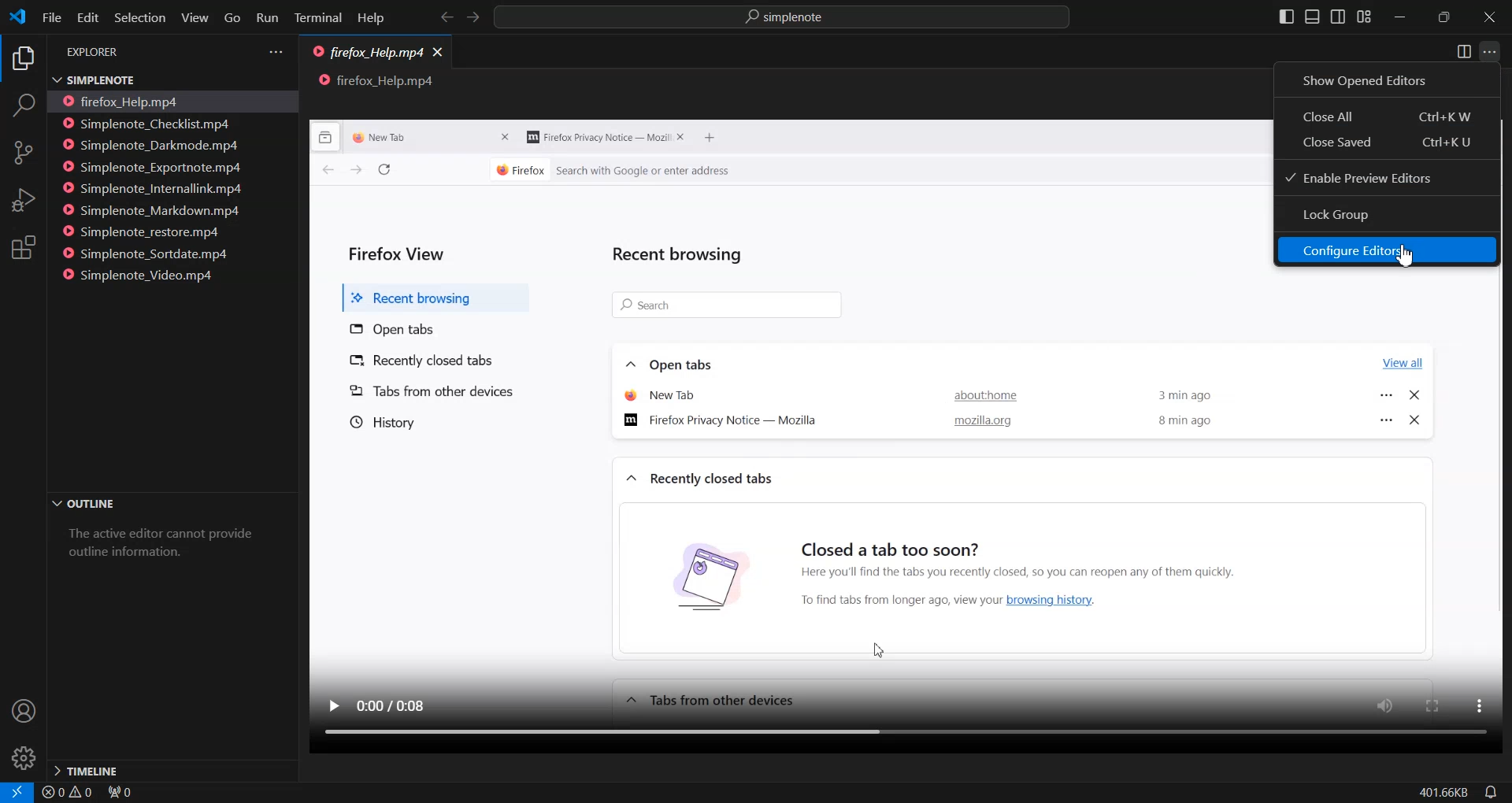  I want to click on Simplenote_Sortdate.mp4, so click(151, 253).